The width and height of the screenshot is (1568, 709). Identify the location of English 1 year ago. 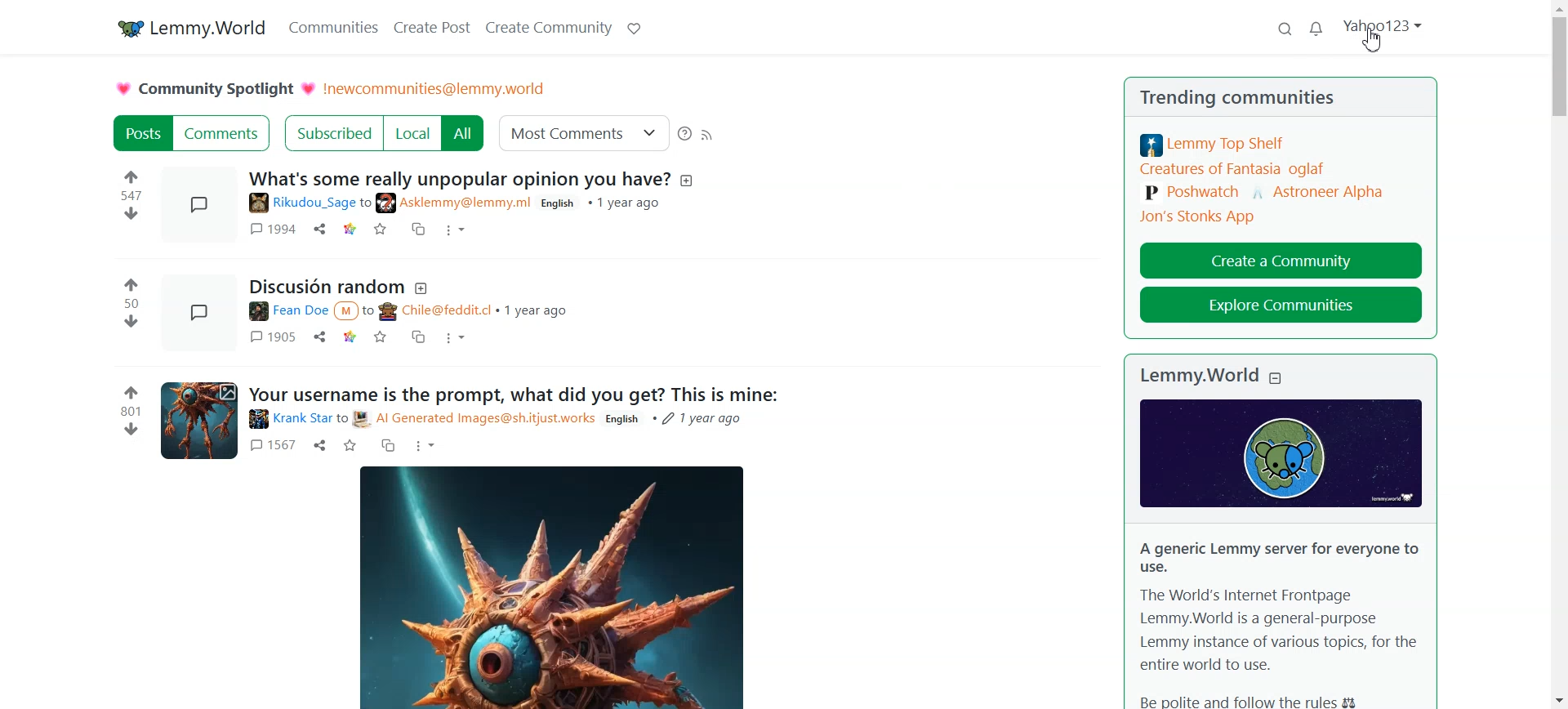
(678, 420).